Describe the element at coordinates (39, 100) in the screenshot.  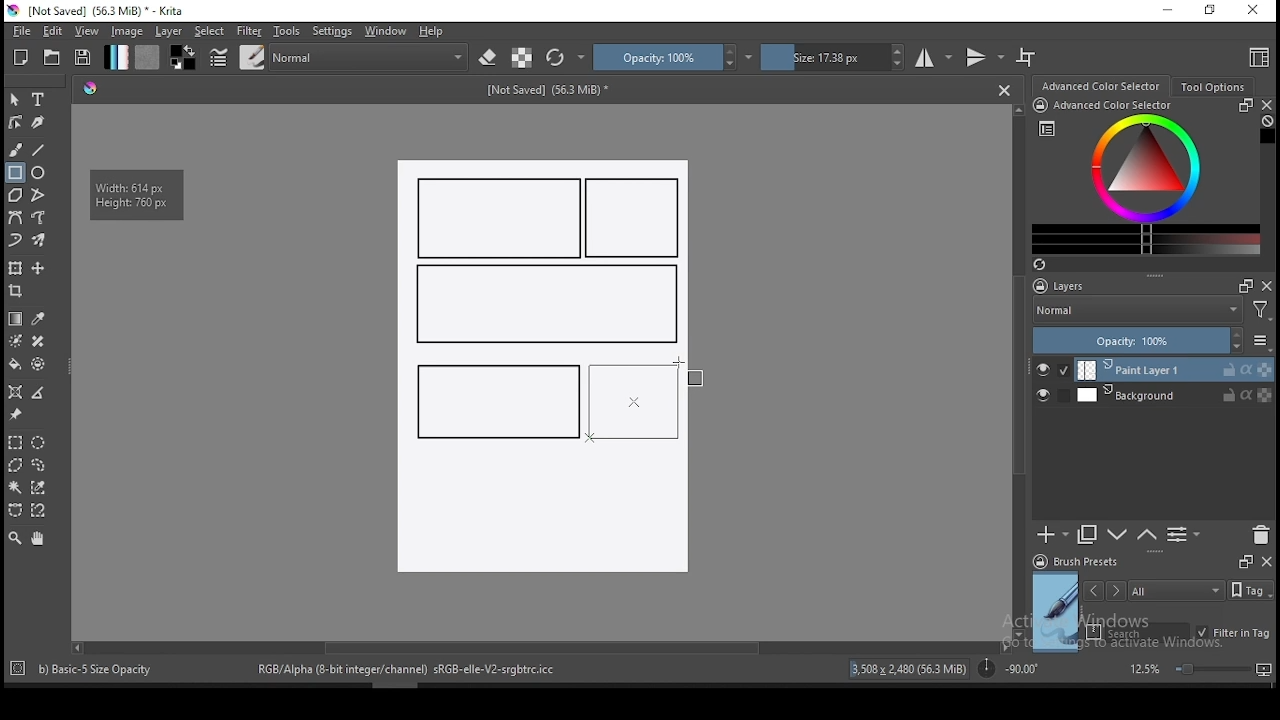
I see `text tool` at that location.